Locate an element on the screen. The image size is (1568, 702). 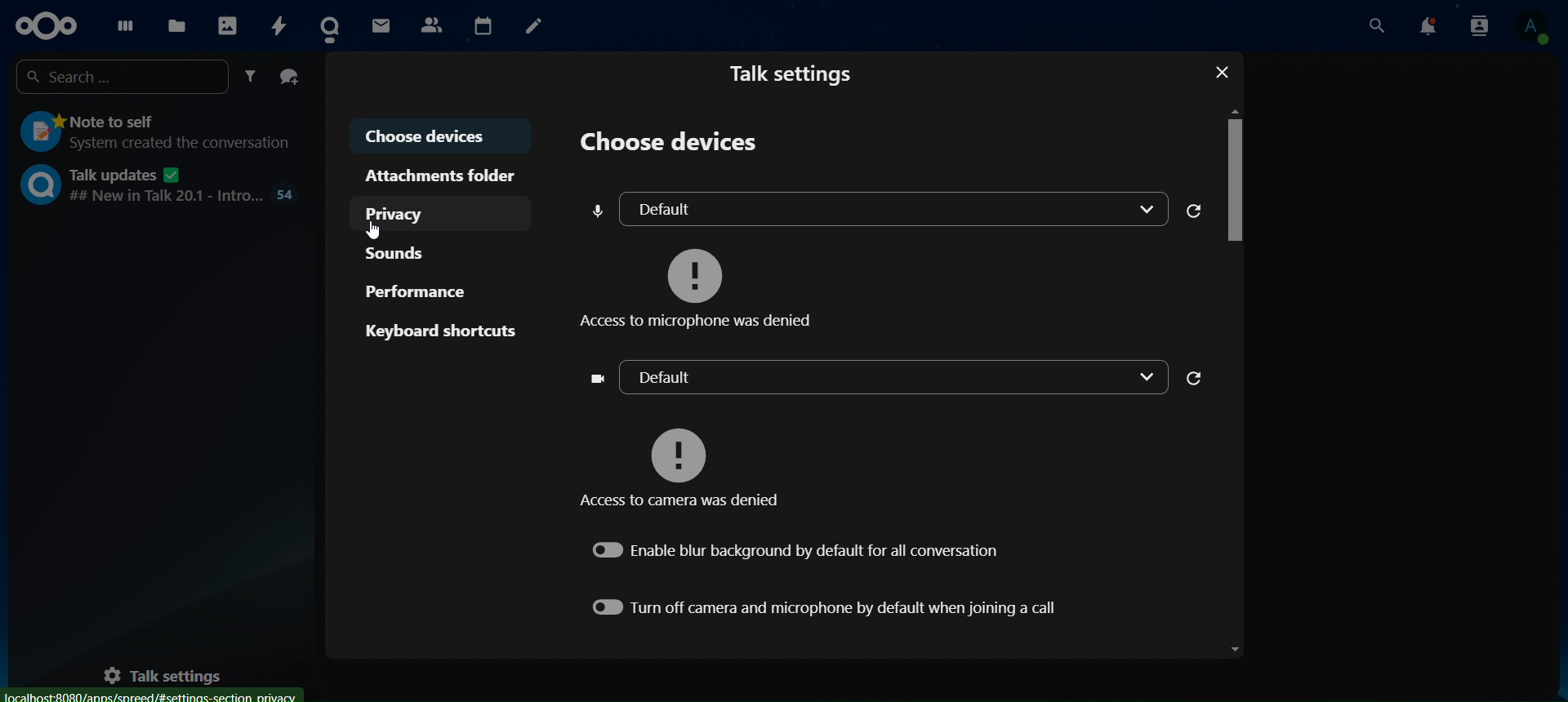
contact is located at coordinates (431, 23).